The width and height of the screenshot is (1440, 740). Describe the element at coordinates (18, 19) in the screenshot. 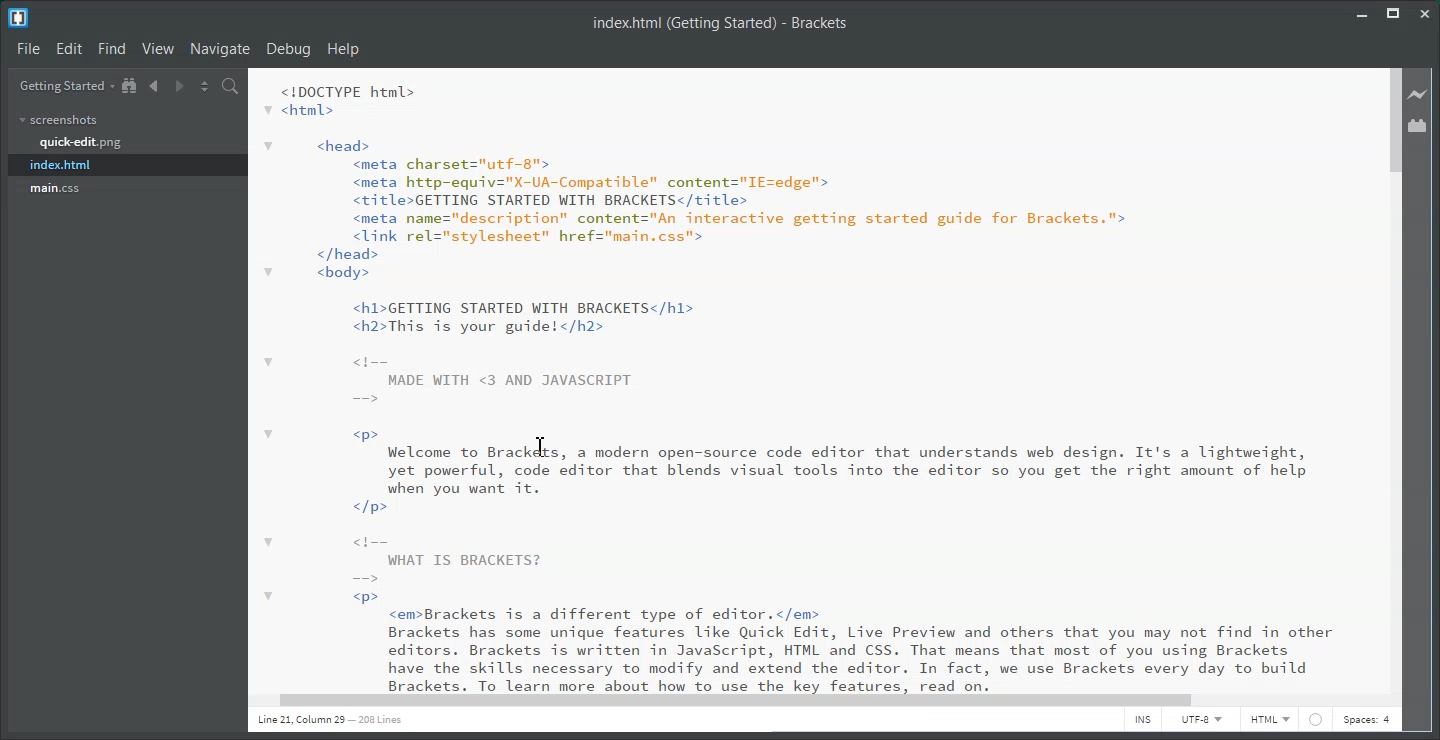

I see `Logo` at that location.